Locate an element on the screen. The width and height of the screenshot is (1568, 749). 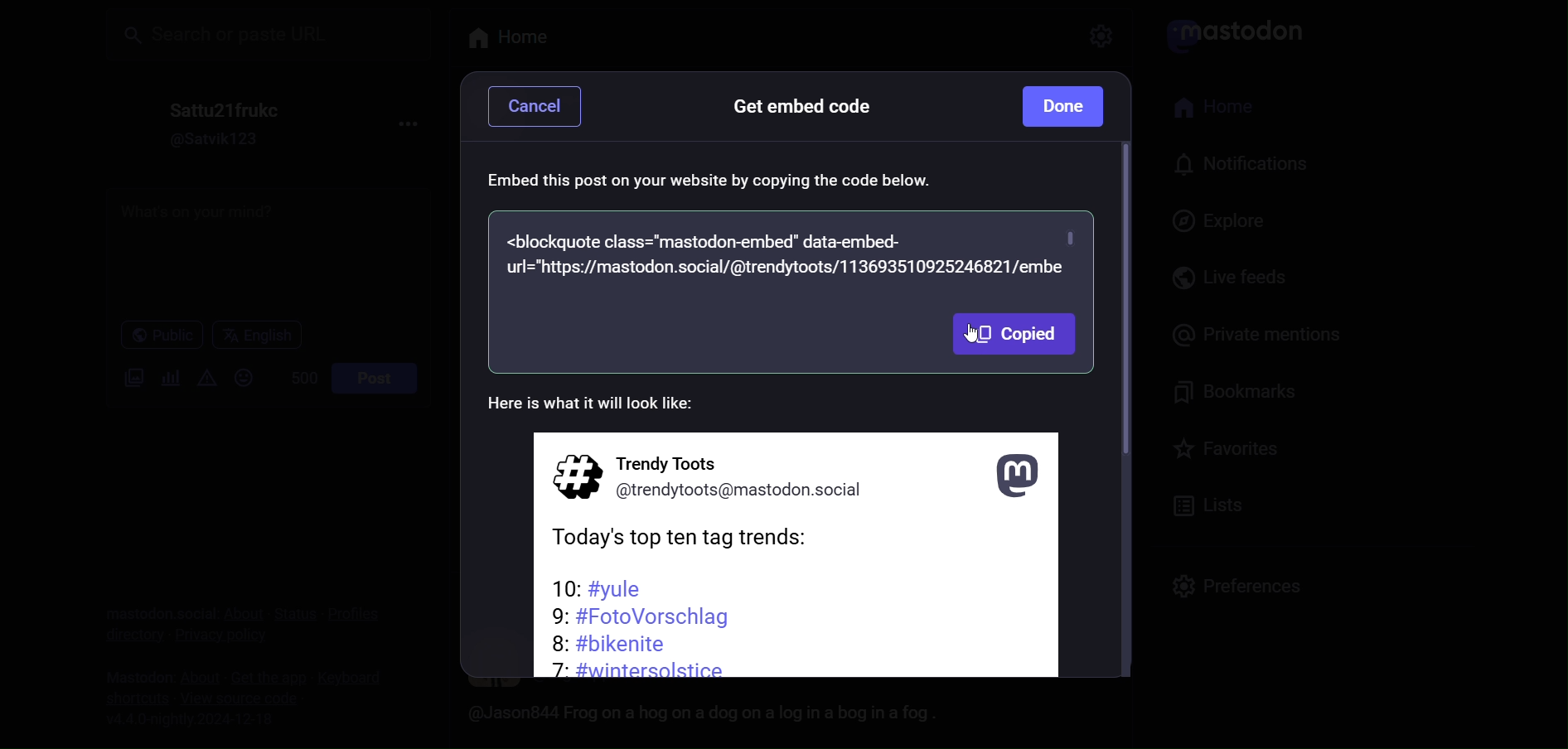
post information is located at coordinates (799, 558).